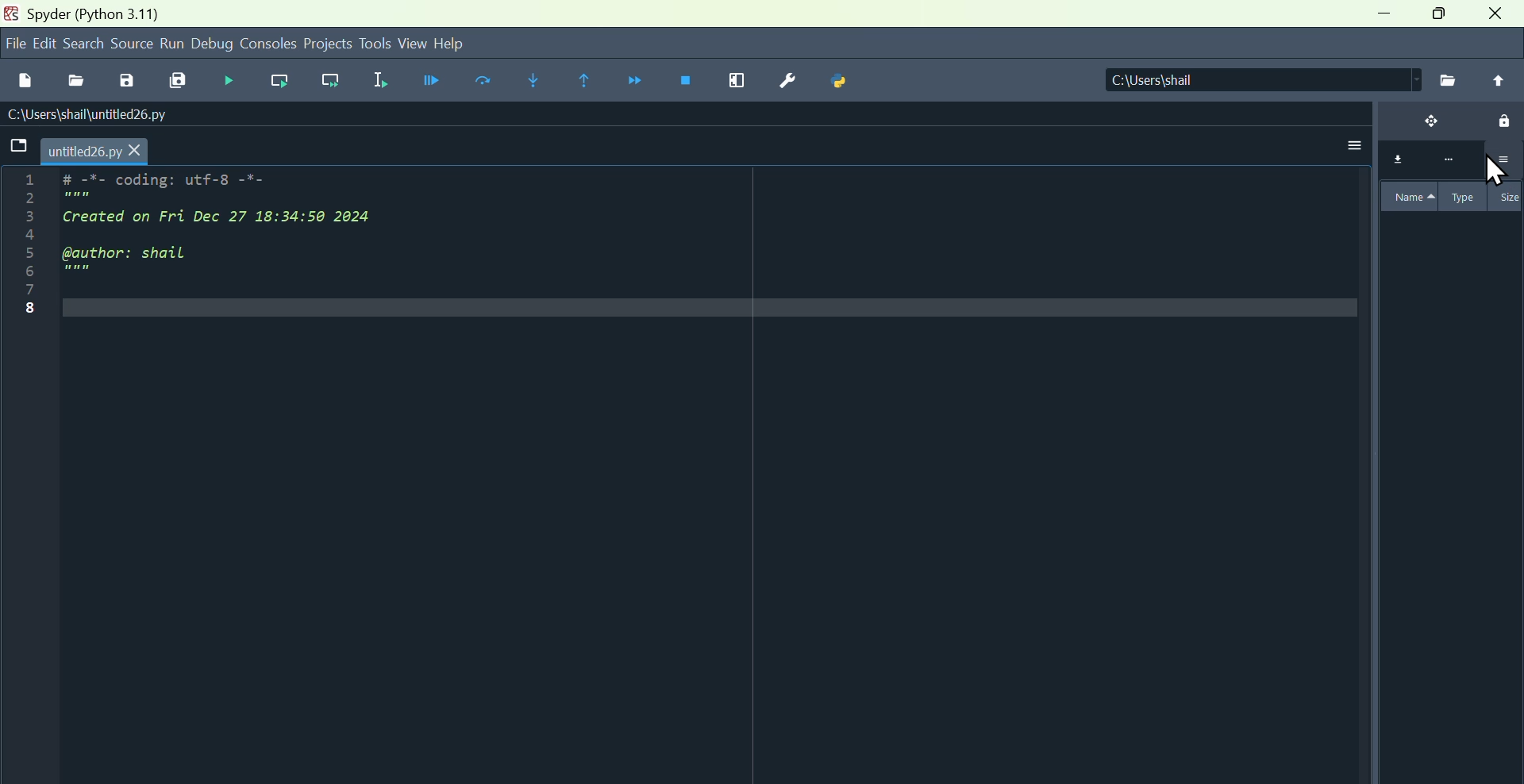 The width and height of the screenshot is (1524, 784). What do you see at coordinates (20, 252) in the screenshot?
I see `Line numbers` at bounding box center [20, 252].